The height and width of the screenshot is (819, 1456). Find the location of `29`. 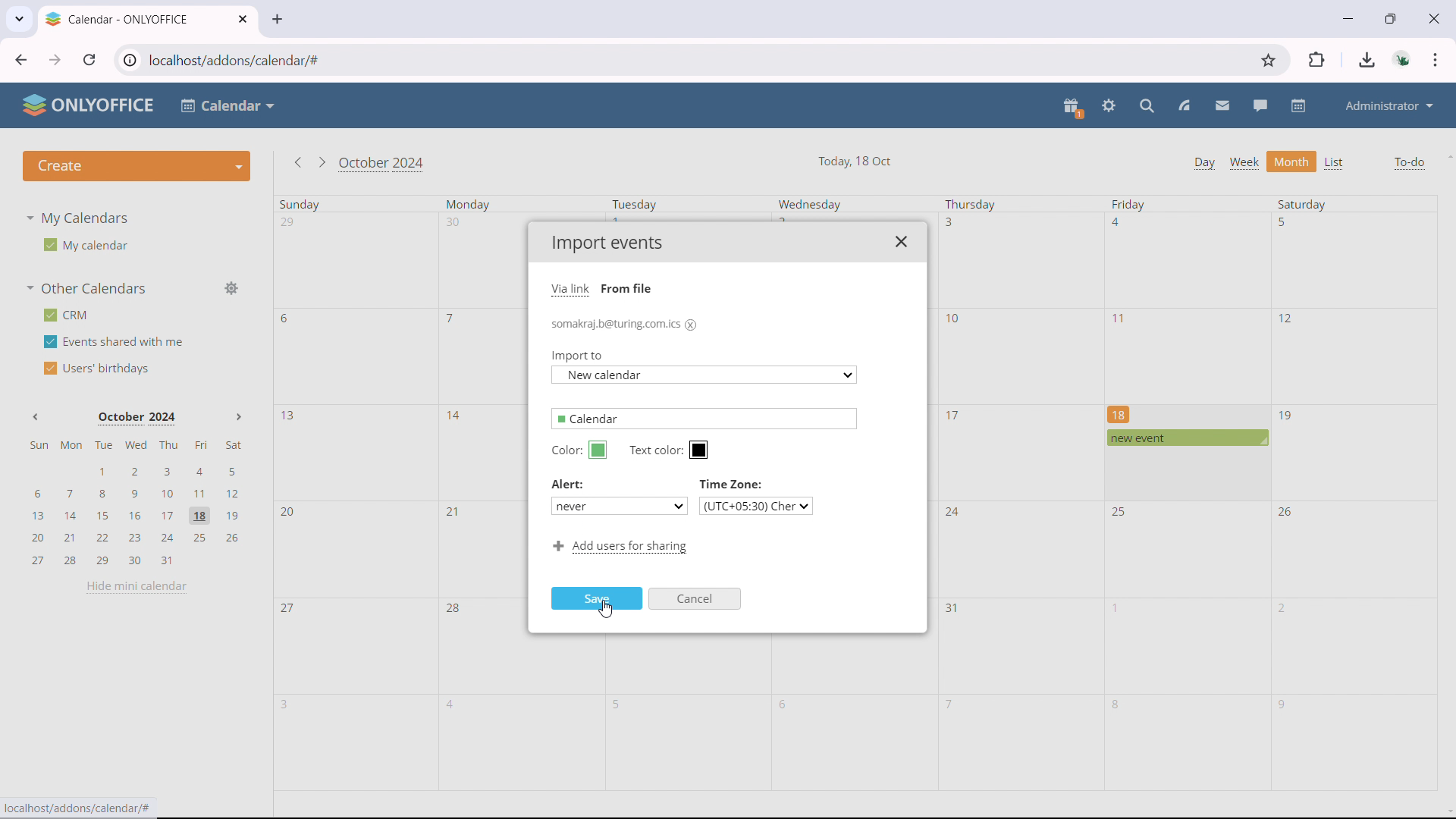

29 is located at coordinates (289, 221).